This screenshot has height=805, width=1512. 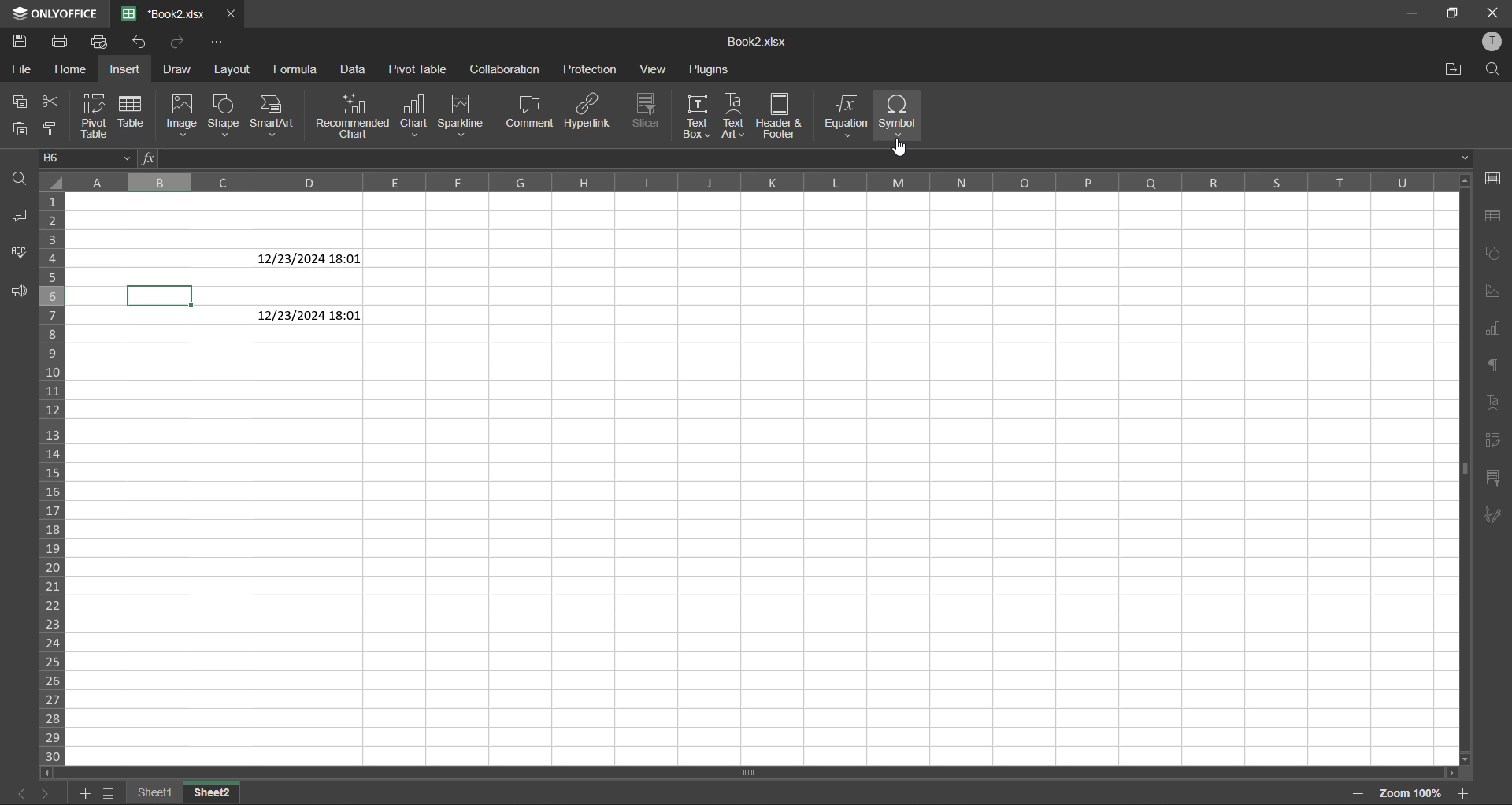 I want to click on slicer, so click(x=1495, y=480).